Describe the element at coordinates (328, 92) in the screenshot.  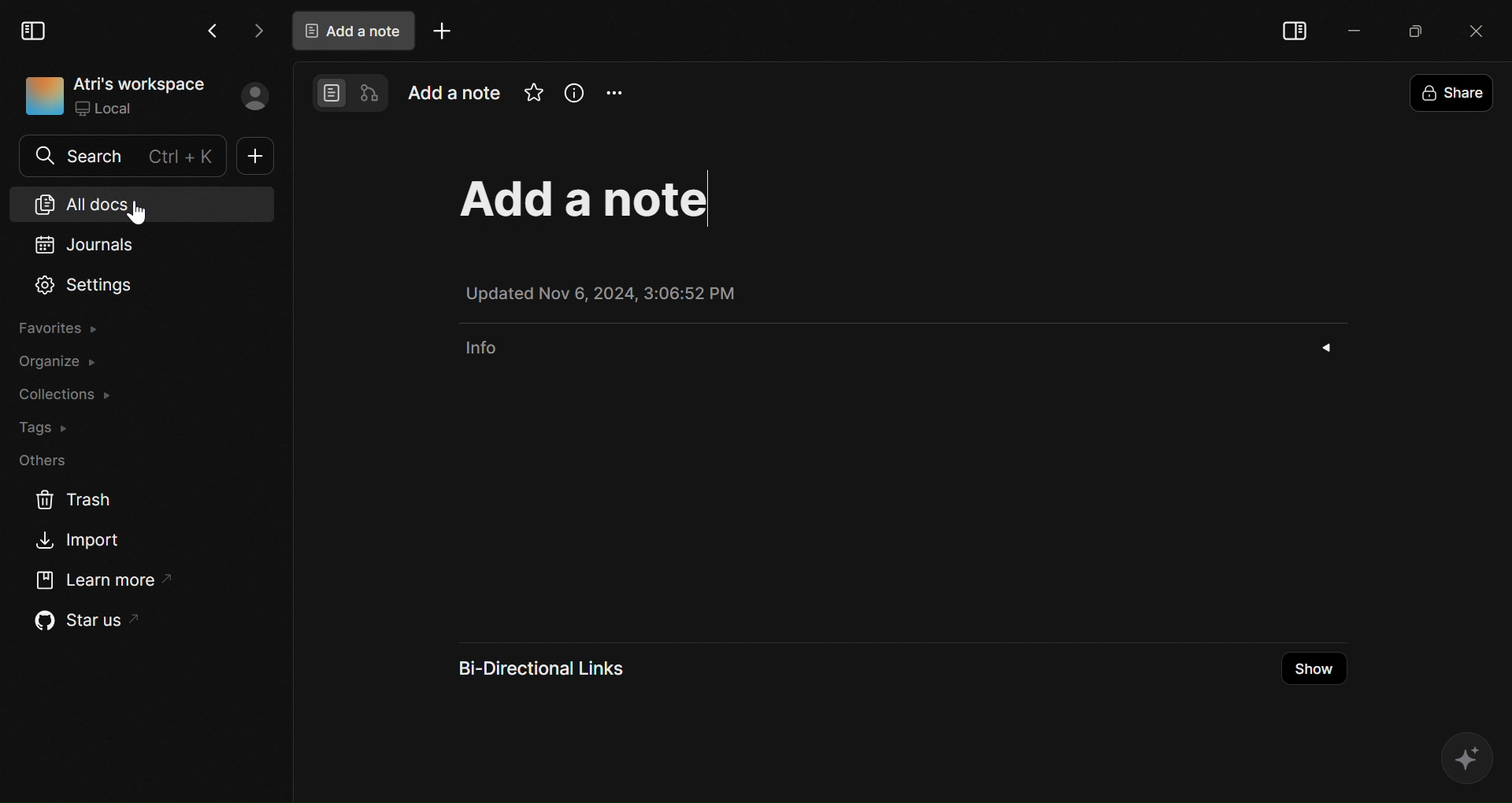
I see `Page mode` at that location.